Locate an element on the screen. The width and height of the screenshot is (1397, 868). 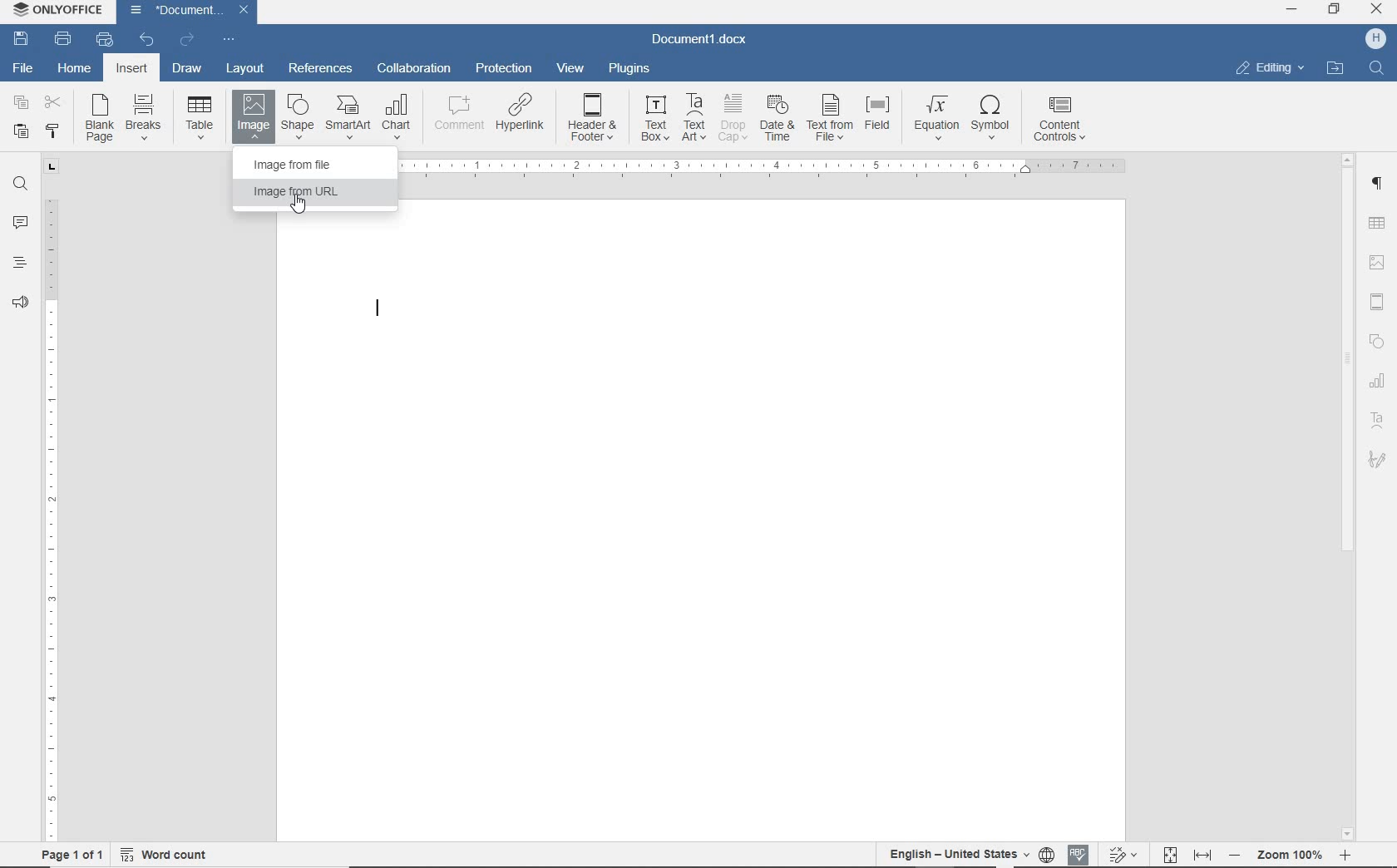
track changes is located at coordinates (1127, 856).